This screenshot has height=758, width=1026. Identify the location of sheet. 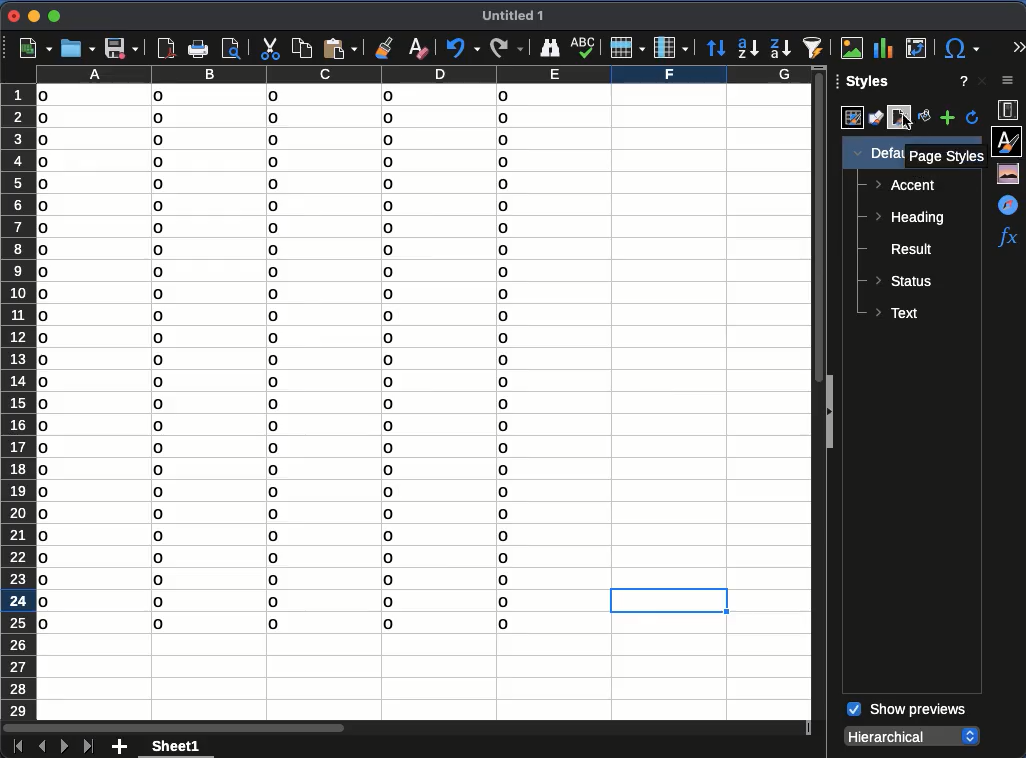
(178, 745).